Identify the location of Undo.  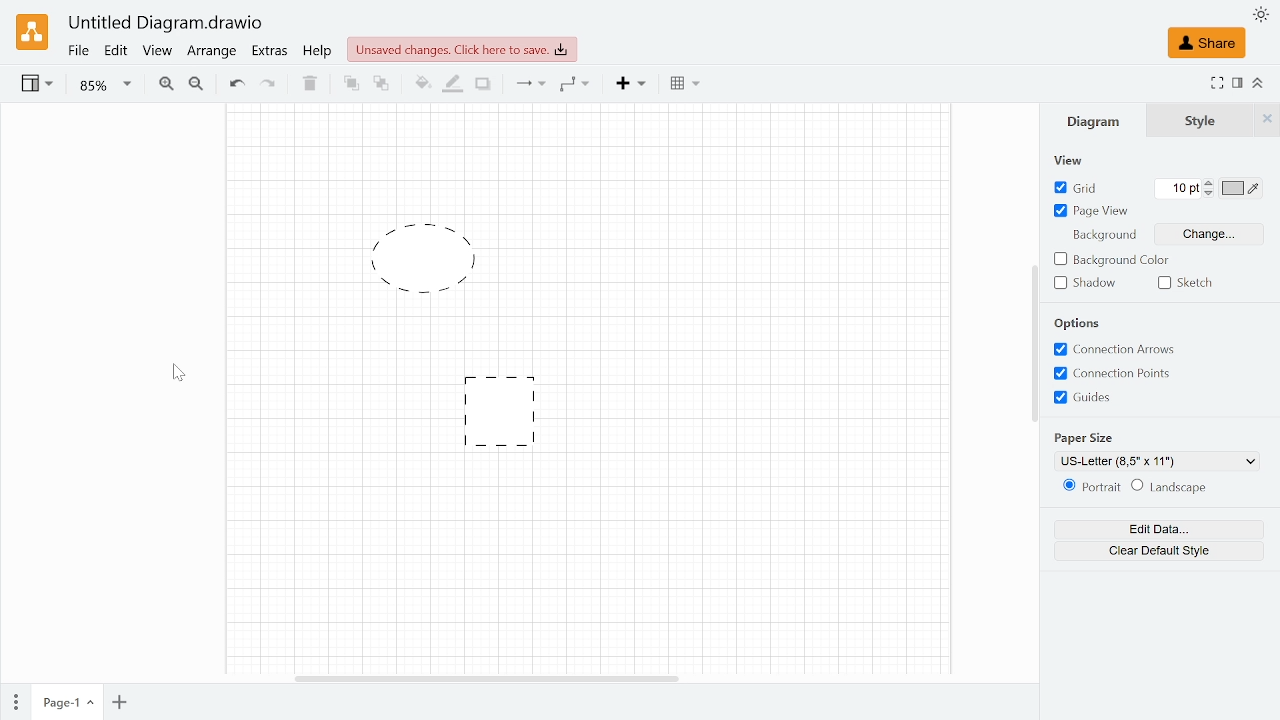
(236, 85).